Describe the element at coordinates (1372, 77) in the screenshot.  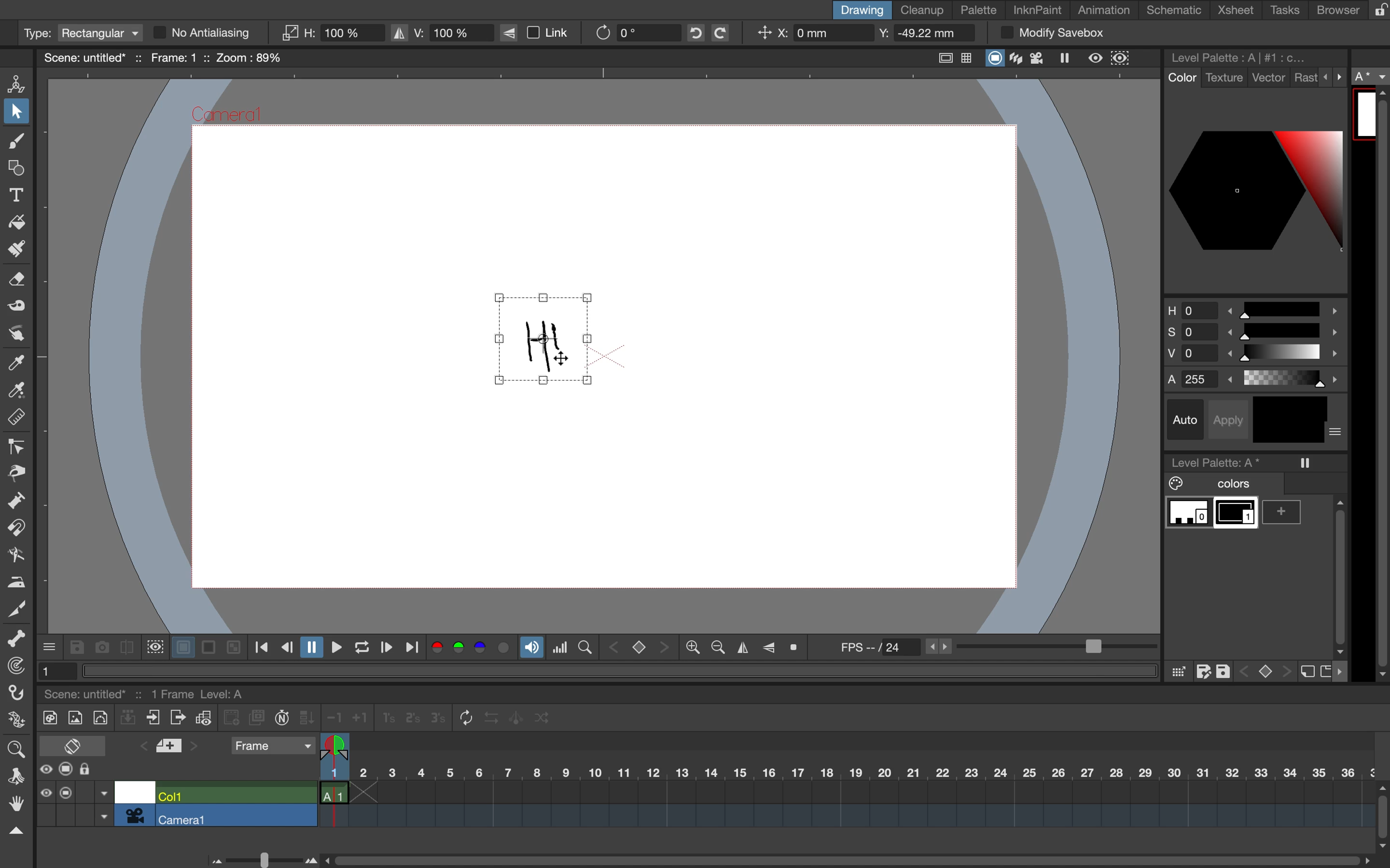
I see `a` at that location.